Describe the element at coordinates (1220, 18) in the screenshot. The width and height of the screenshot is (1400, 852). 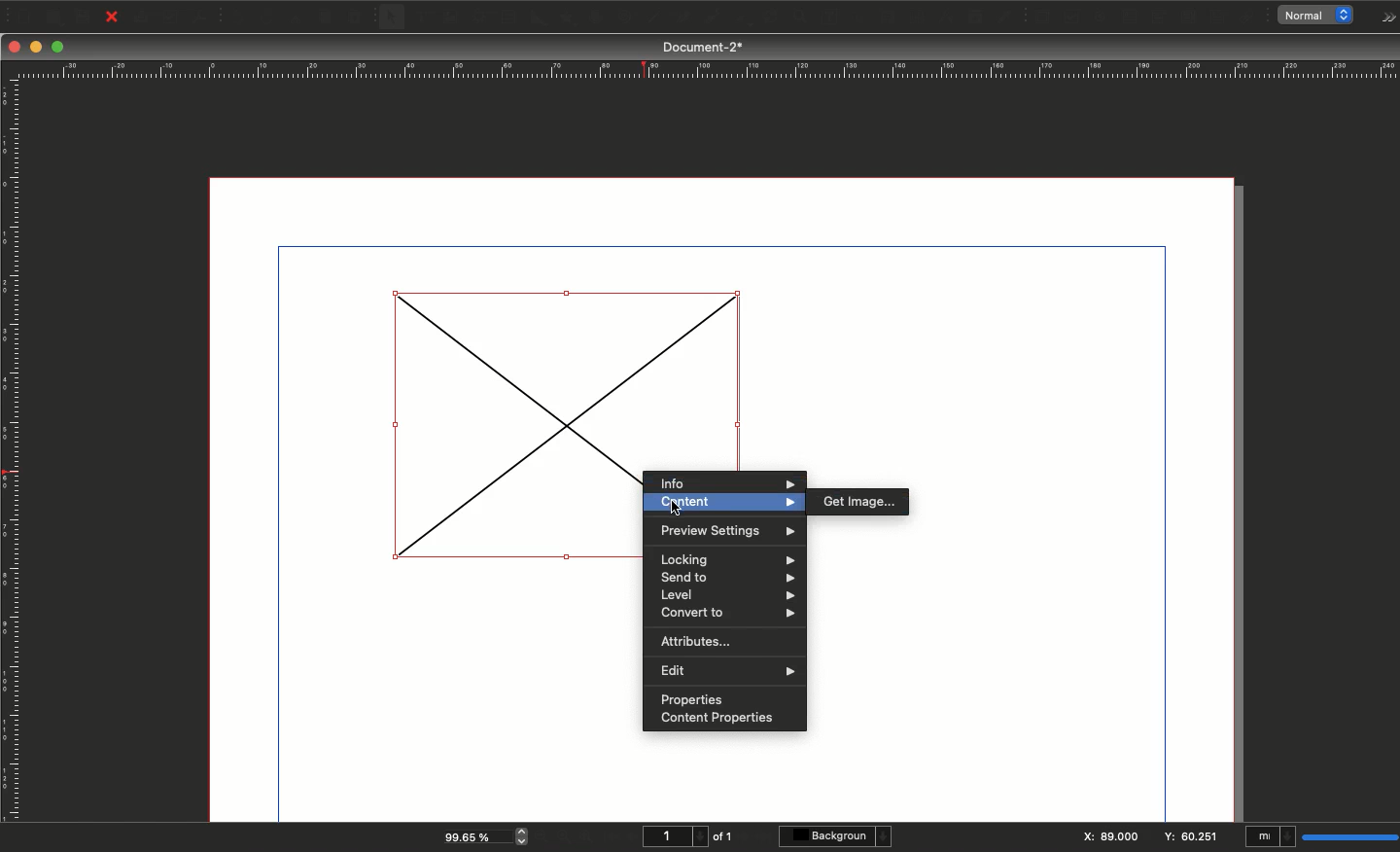
I see `Text annotation` at that location.